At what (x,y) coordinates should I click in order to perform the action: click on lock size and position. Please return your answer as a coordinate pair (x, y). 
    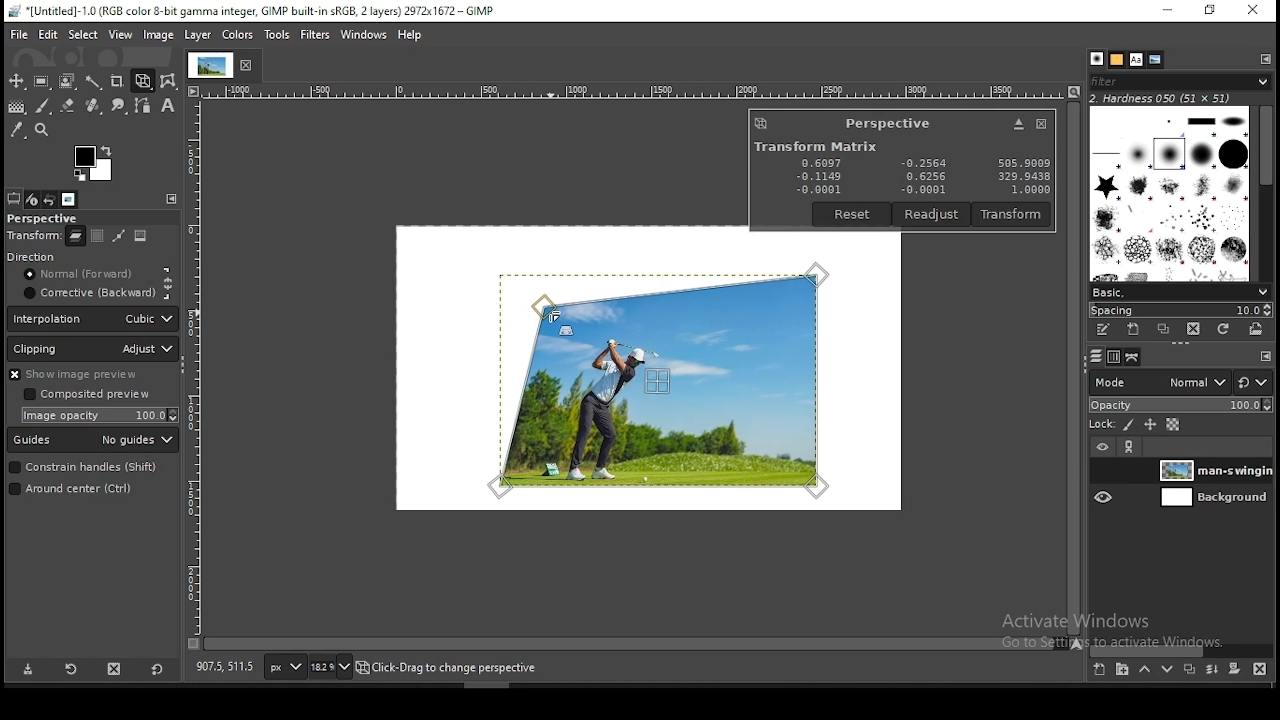
    Looking at the image, I should click on (1148, 425).